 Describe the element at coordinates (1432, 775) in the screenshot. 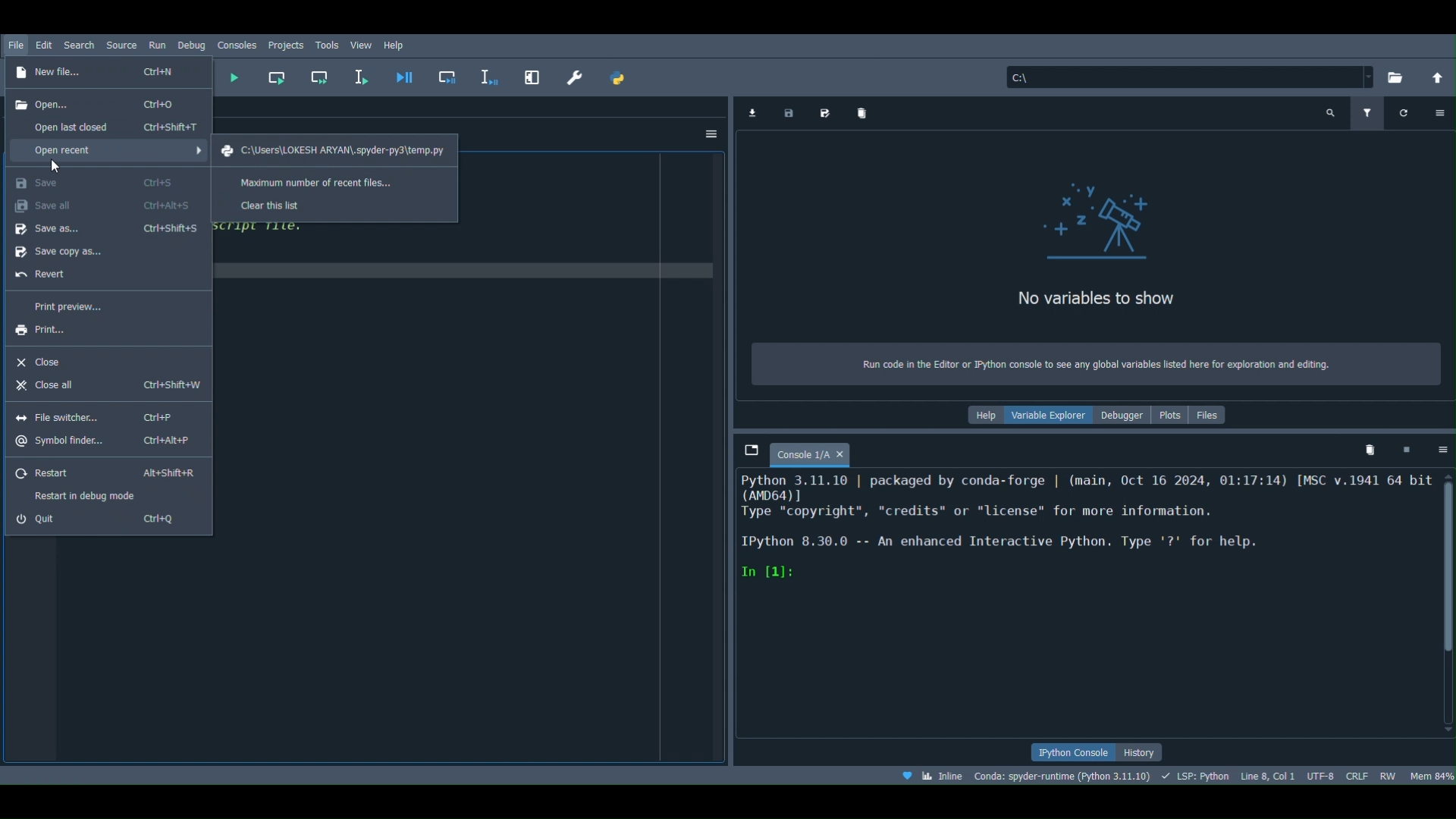

I see `Global memory usage` at that location.